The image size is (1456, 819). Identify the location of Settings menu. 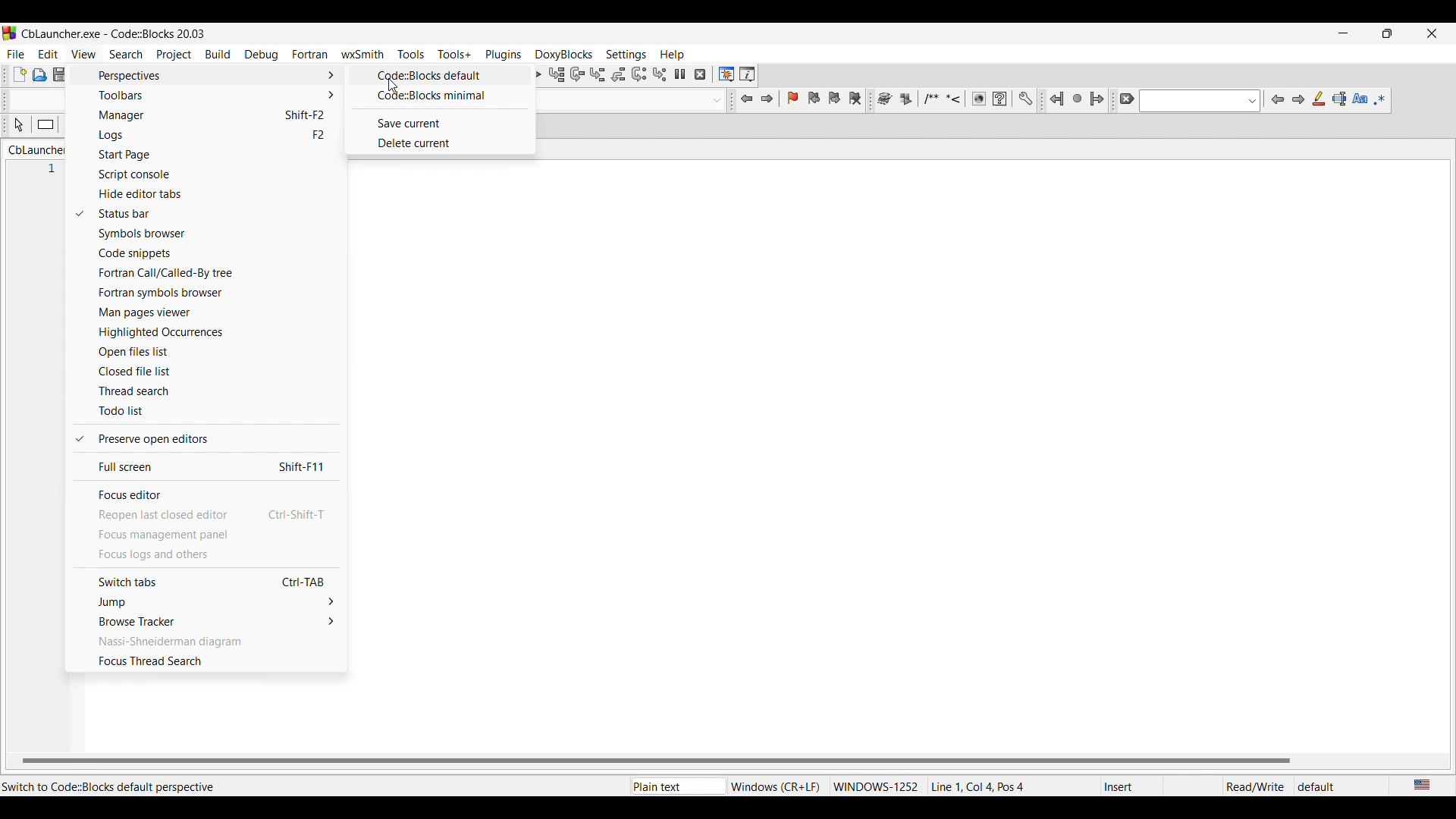
(626, 55).